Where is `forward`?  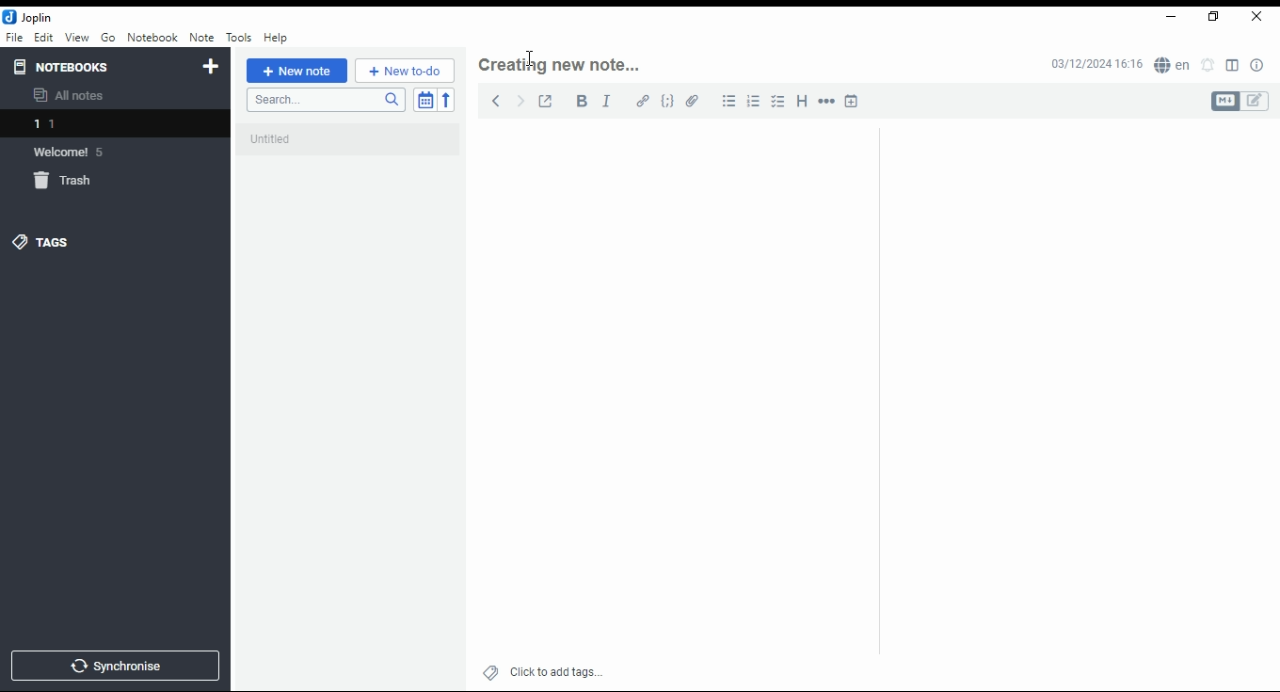
forward is located at coordinates (520, 99).